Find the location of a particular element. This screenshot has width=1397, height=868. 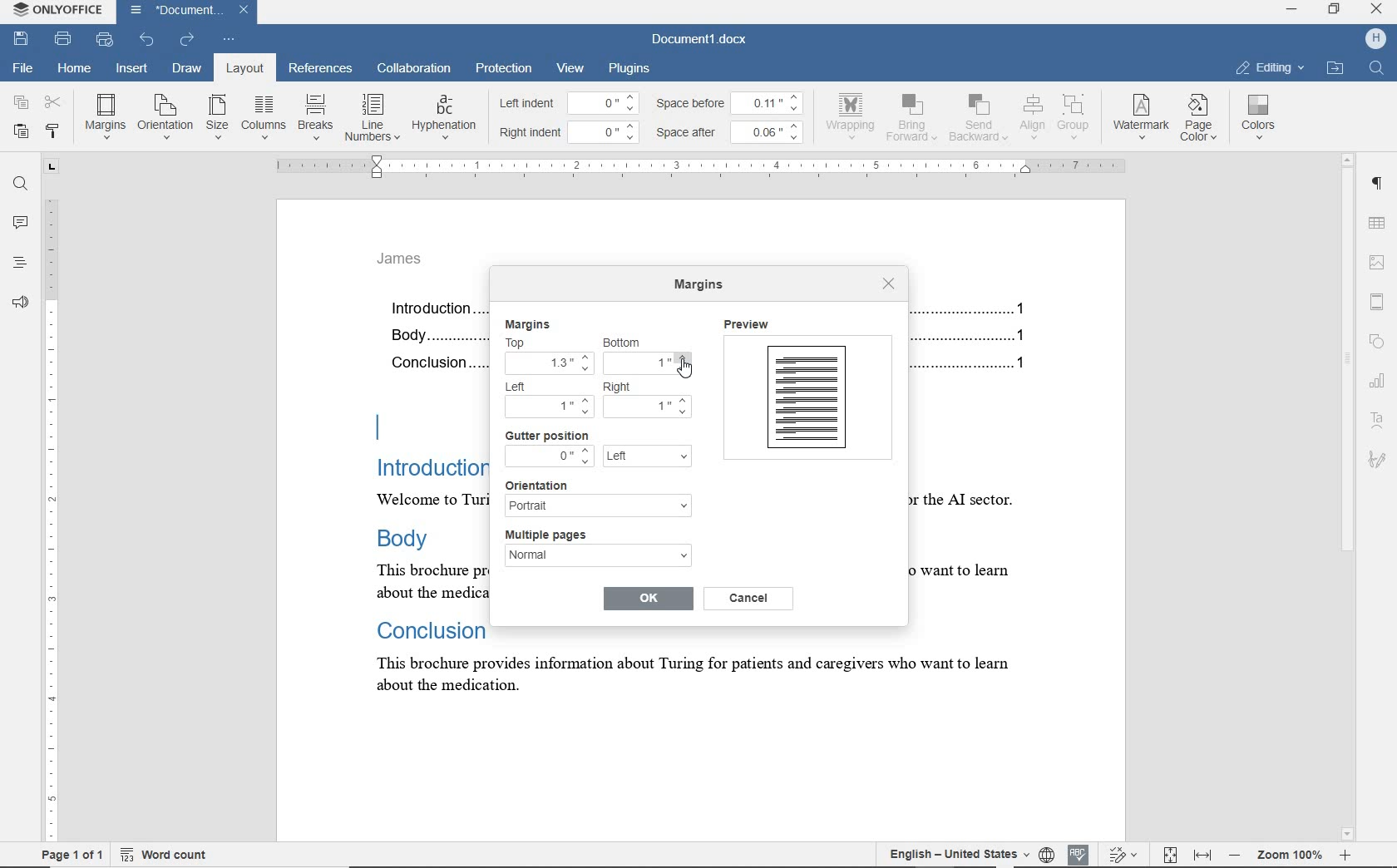

1 is located at coordinates (649, 365).